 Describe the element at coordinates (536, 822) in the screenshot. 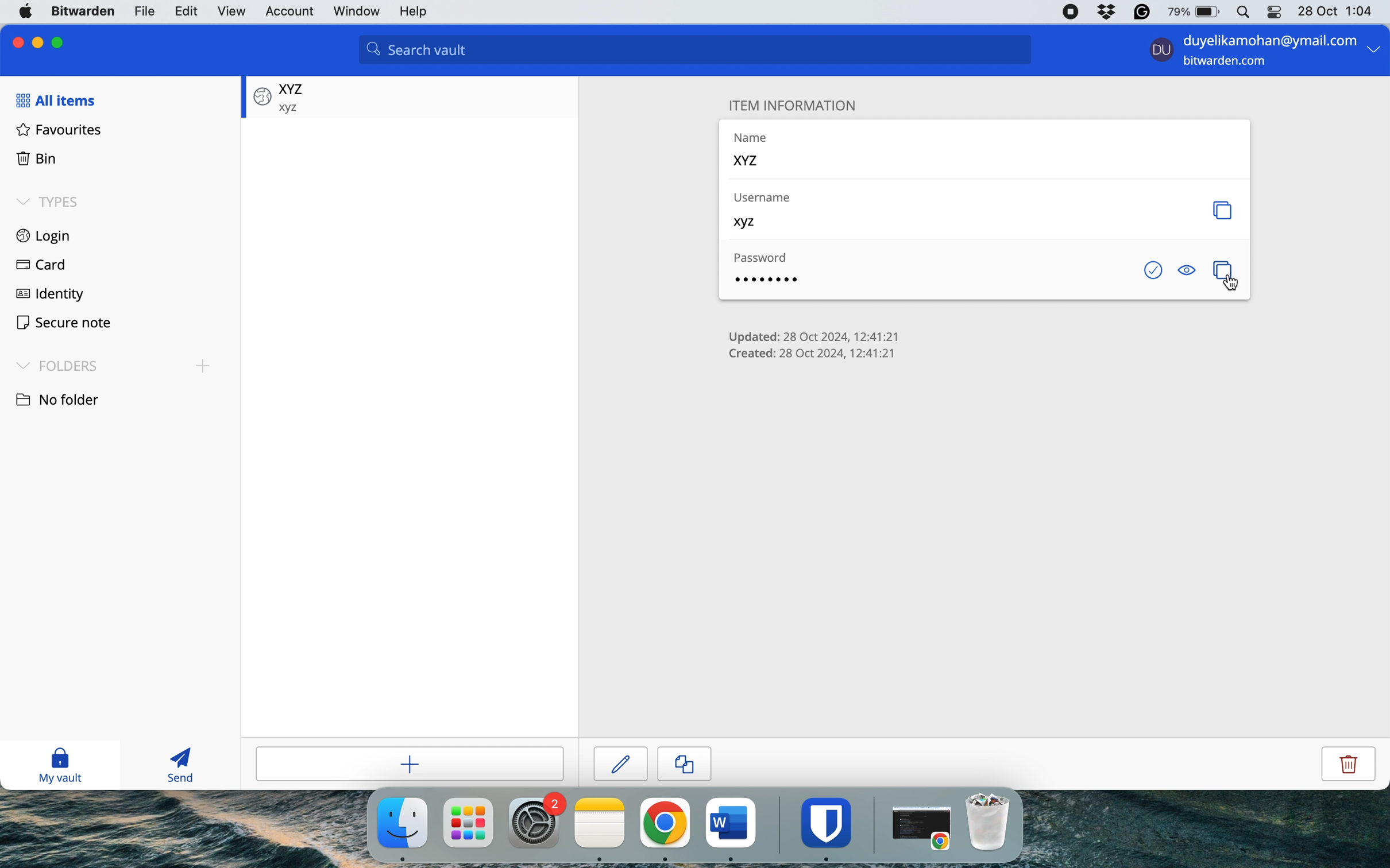

I see `system preferences` at that location.